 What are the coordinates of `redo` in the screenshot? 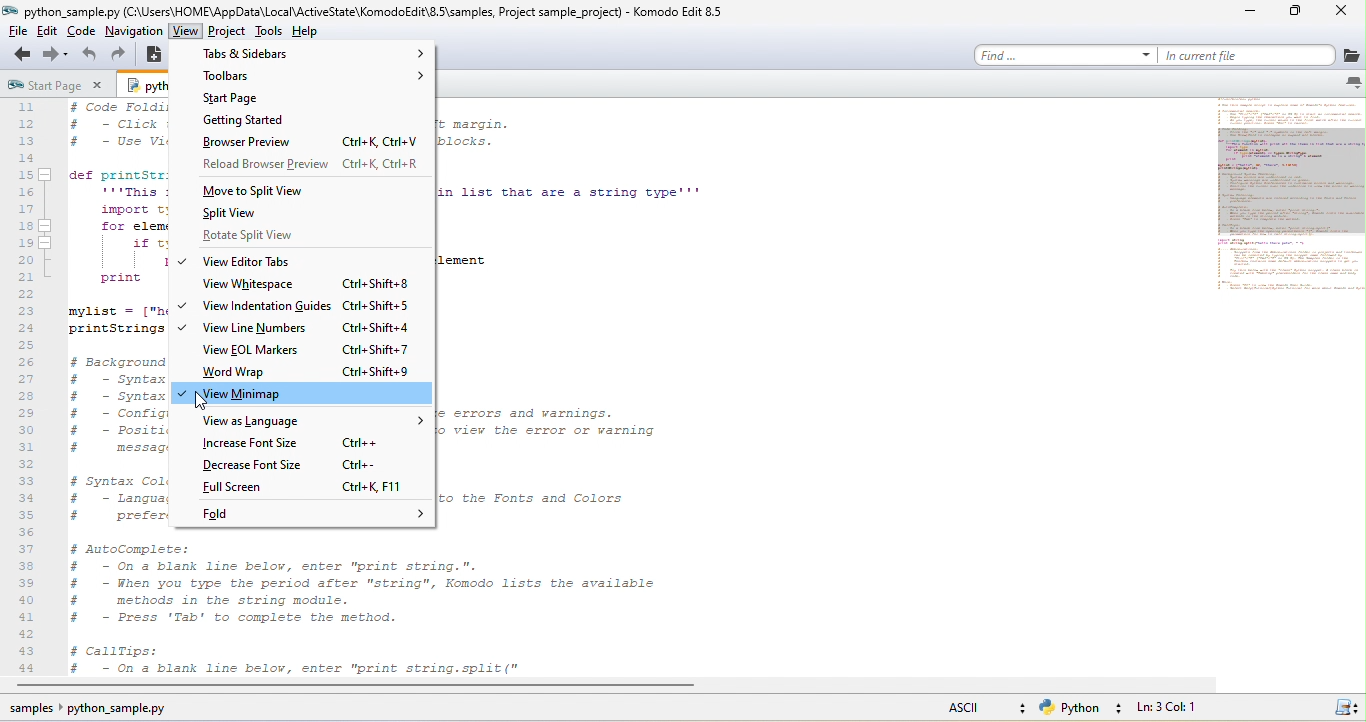 It's located at (120, 58).